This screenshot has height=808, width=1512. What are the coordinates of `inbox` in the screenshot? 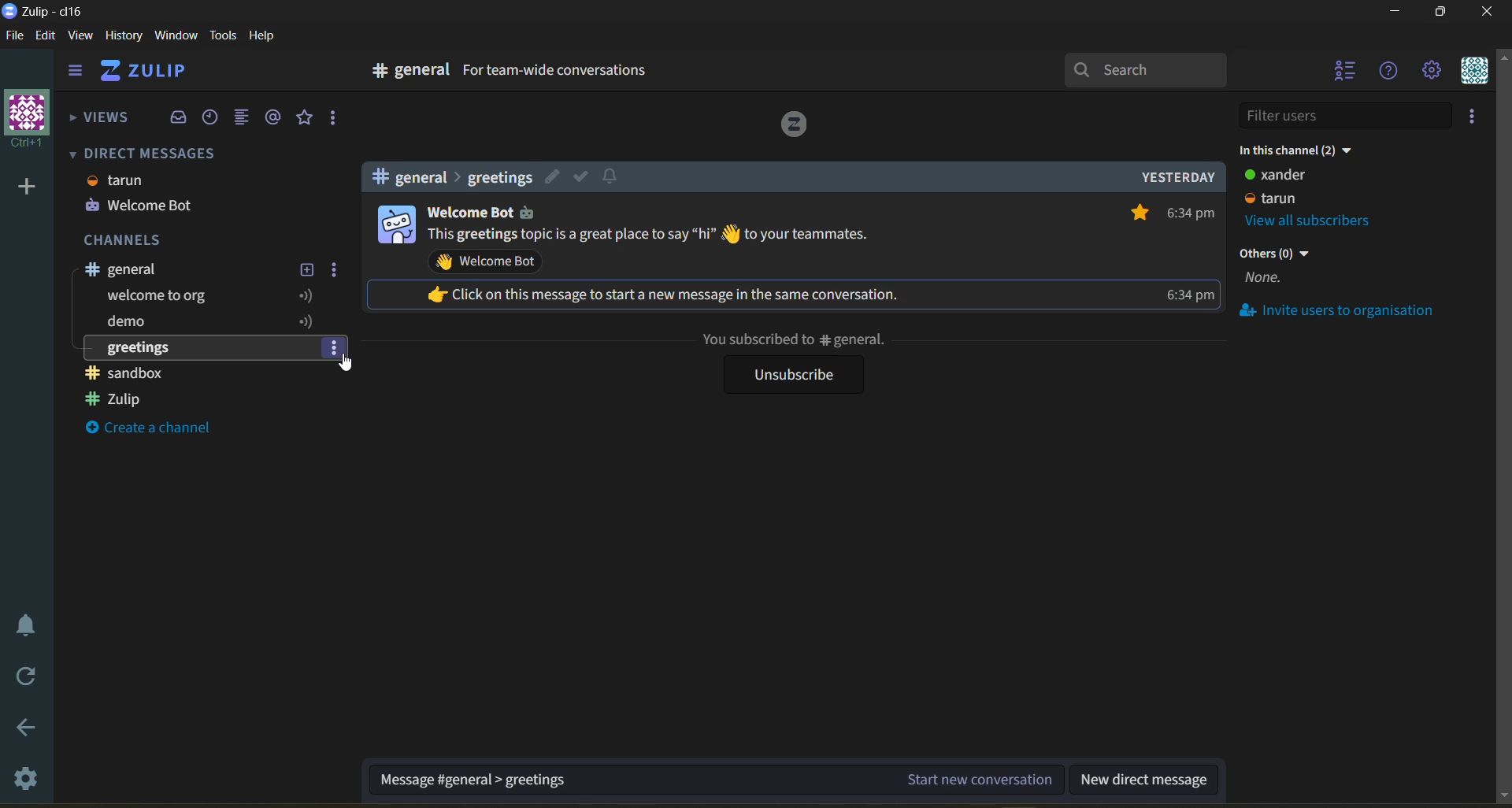 It's located at (179, 119).